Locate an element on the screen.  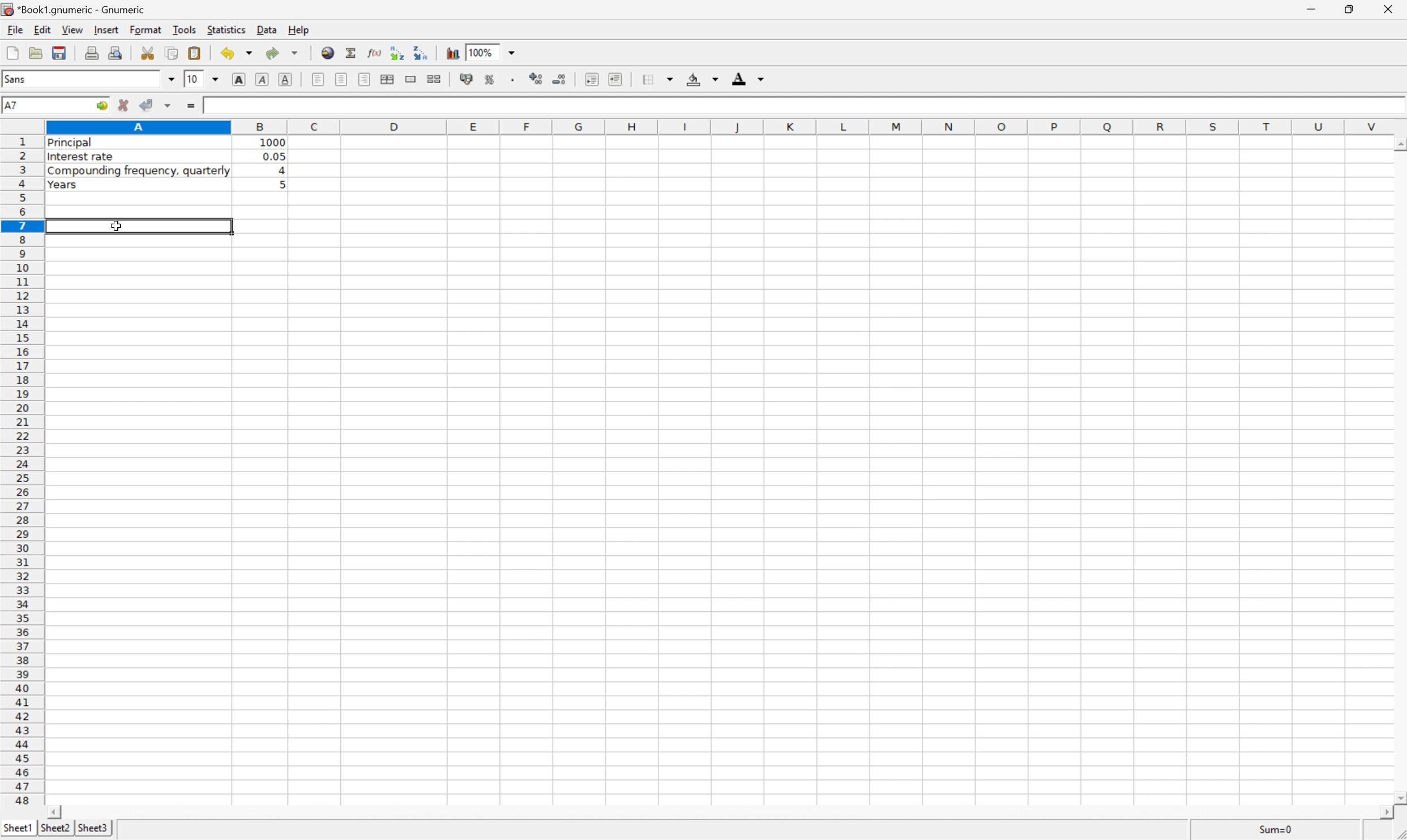
paste is located at coordinates (194, 52).